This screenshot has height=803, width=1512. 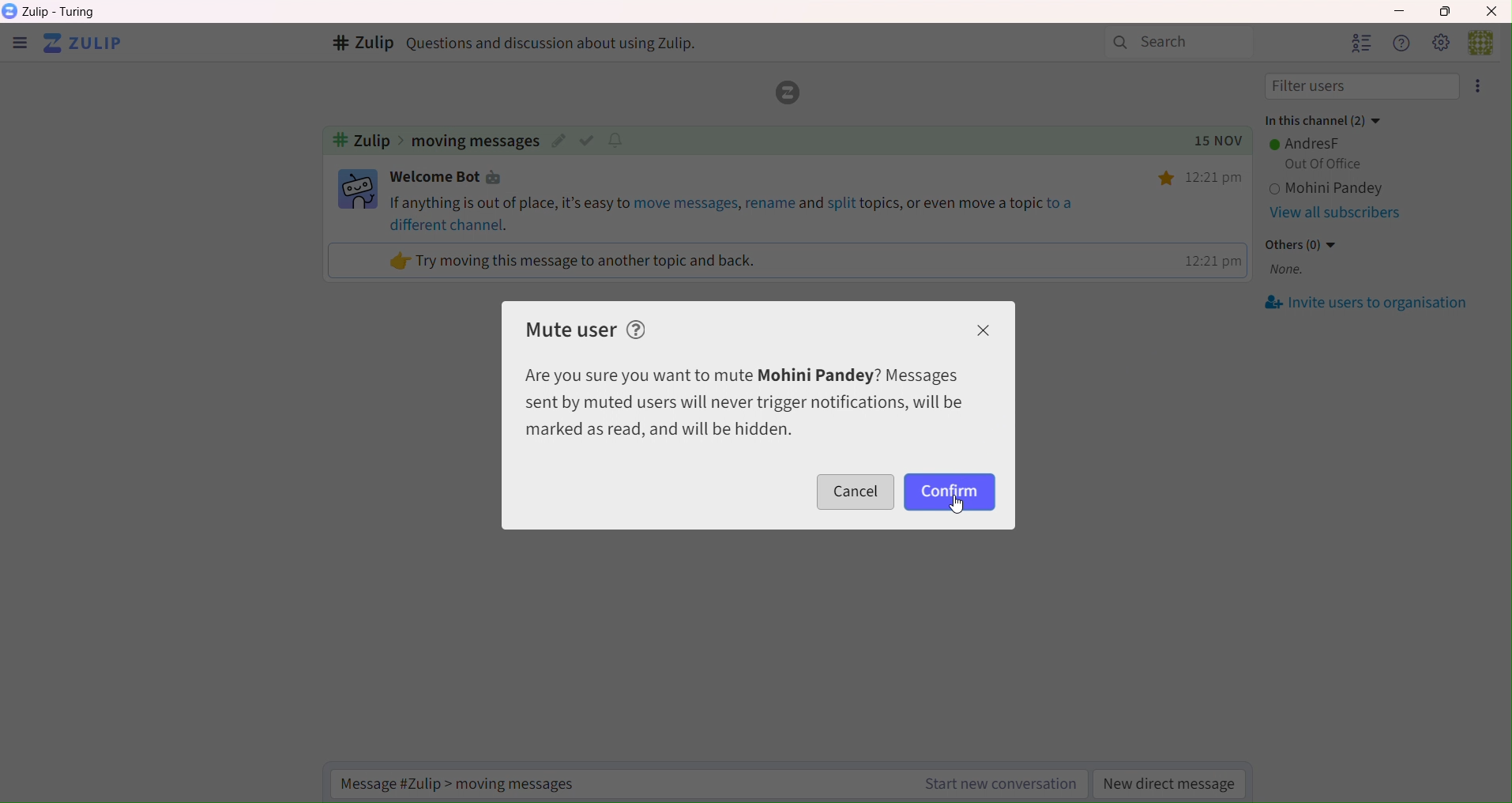 I want to click on Invite users to organization, so click(x=1368, y=303).